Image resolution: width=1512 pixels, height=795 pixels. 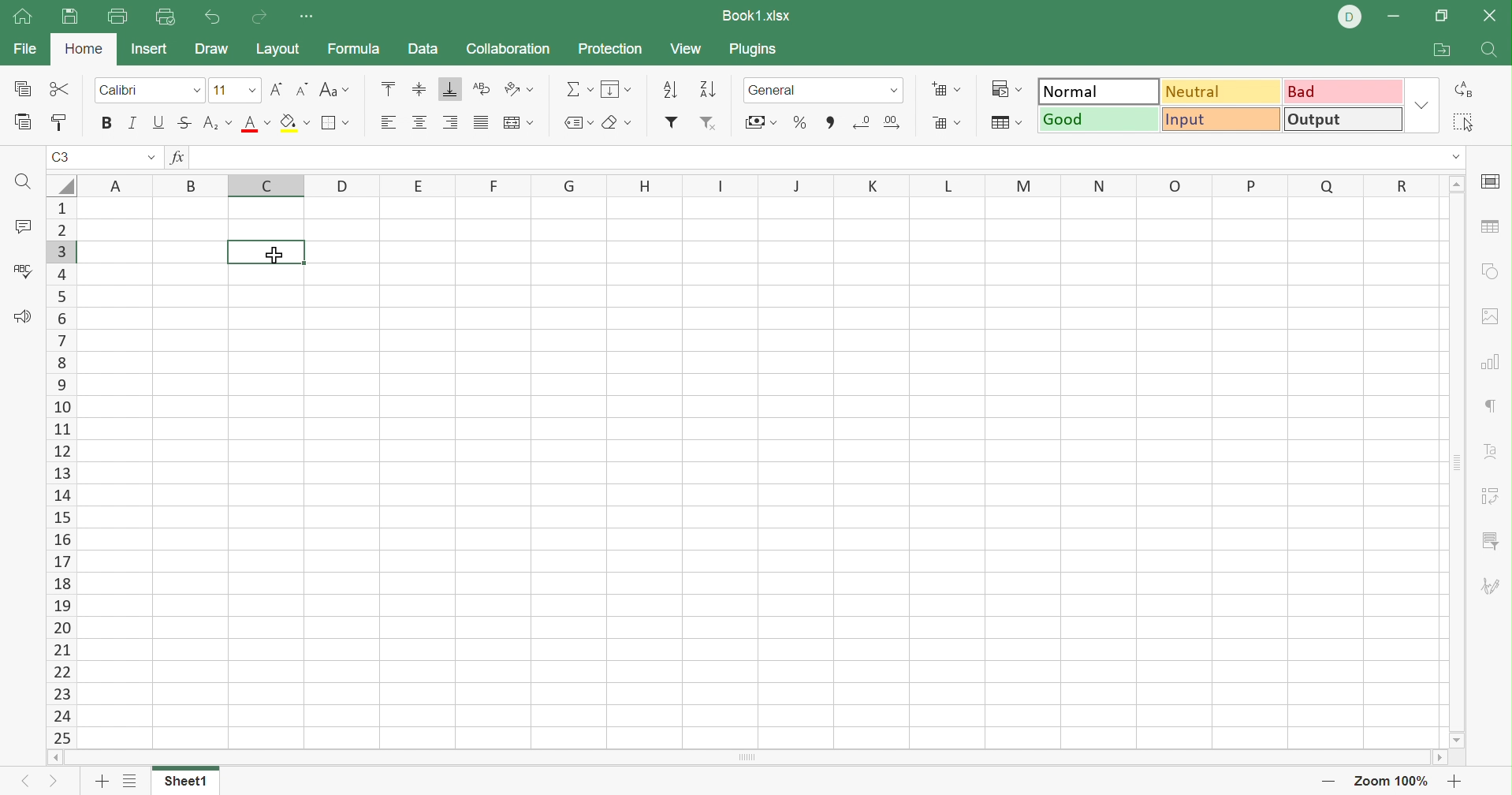 I want to click on Book1.xlsx, so click(x=758, y=14).